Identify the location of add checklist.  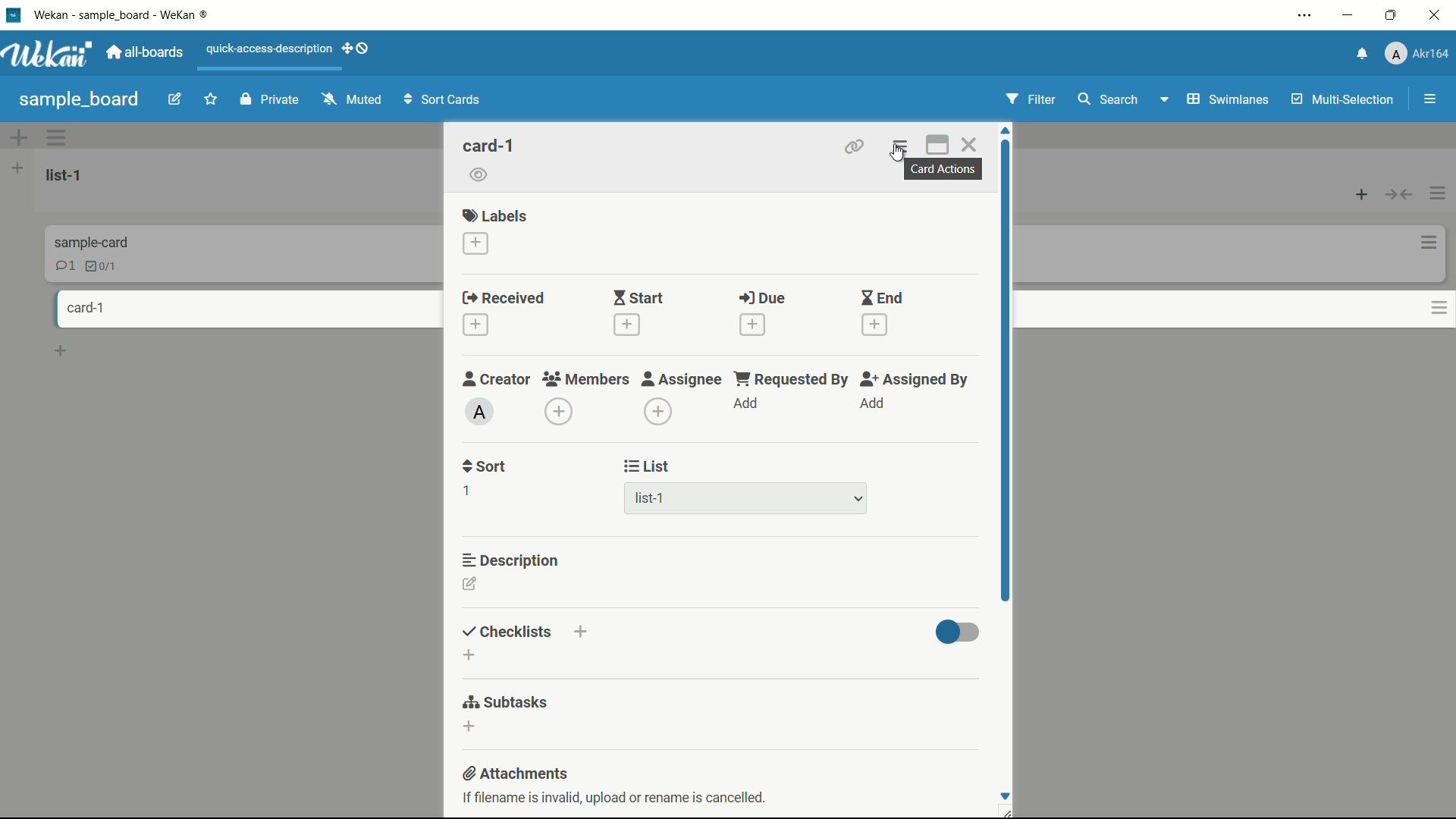
(582, 633).